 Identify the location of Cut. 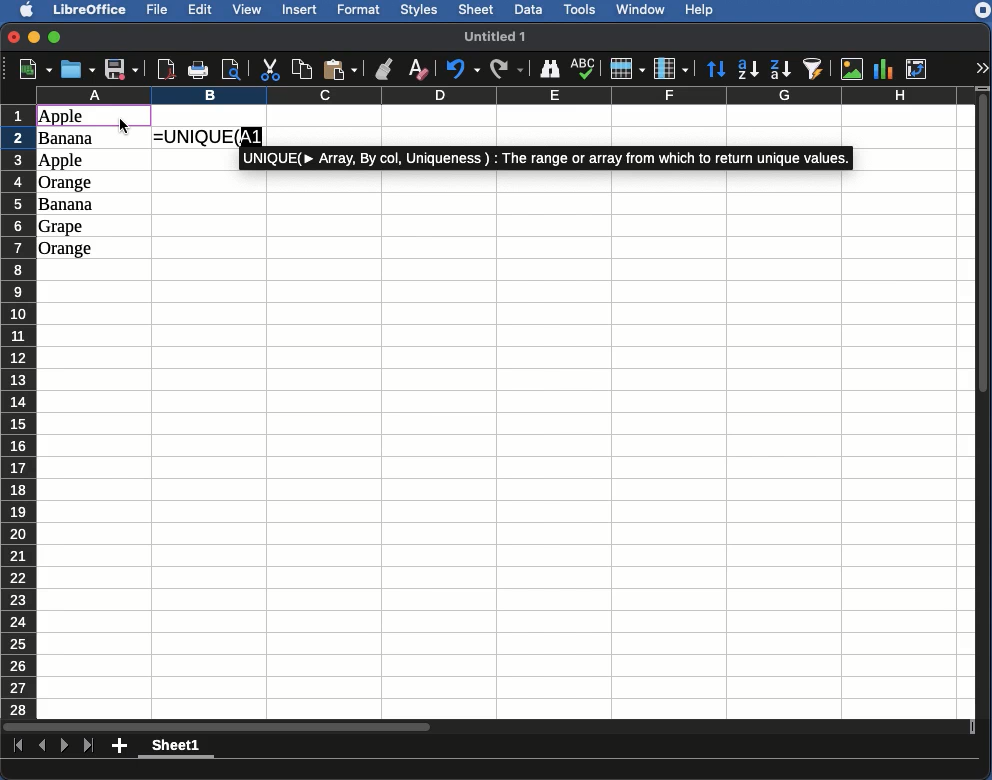
(270, 69).